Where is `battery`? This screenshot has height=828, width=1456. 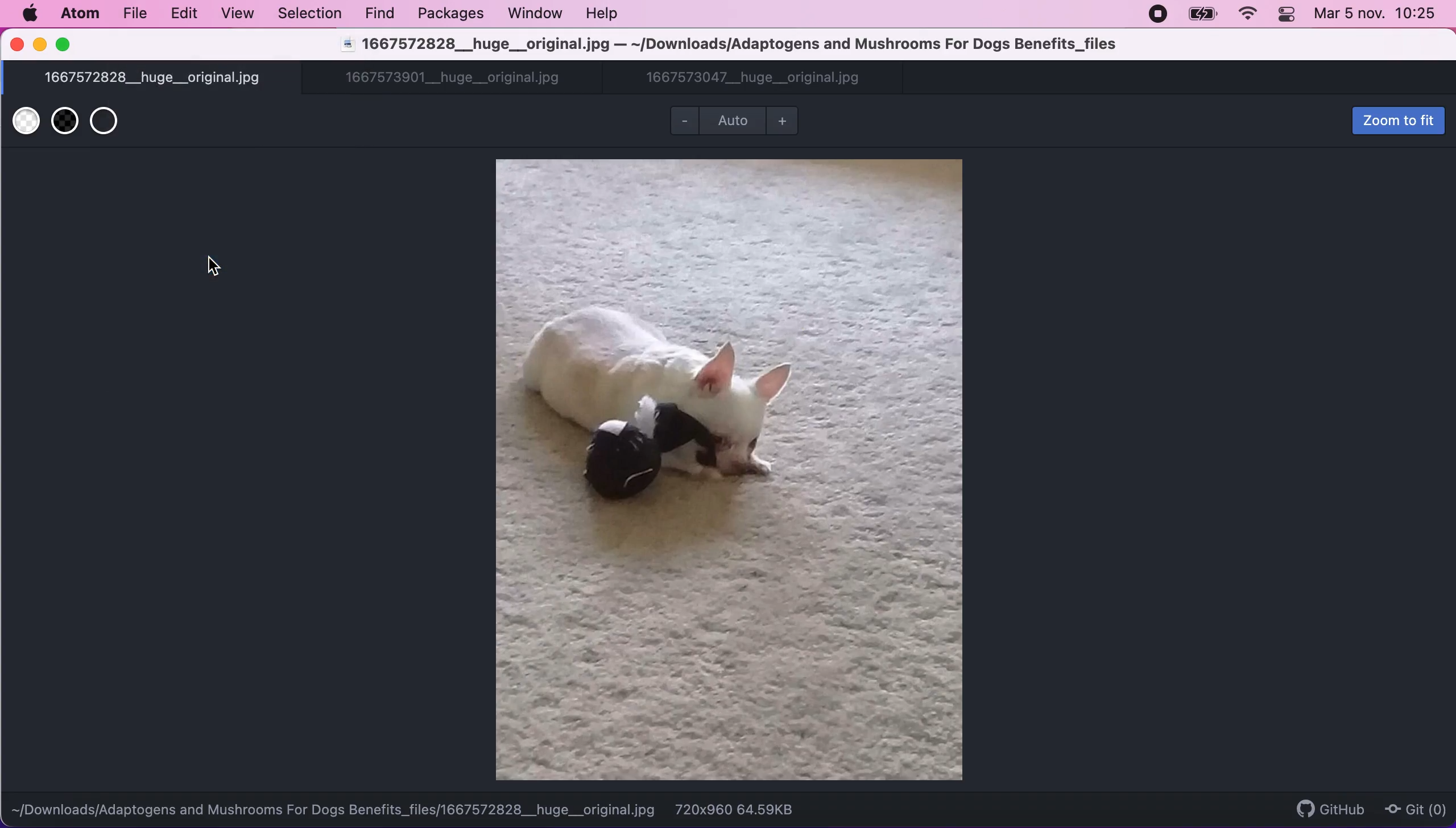
battery is located at coordinates (1200, 16).